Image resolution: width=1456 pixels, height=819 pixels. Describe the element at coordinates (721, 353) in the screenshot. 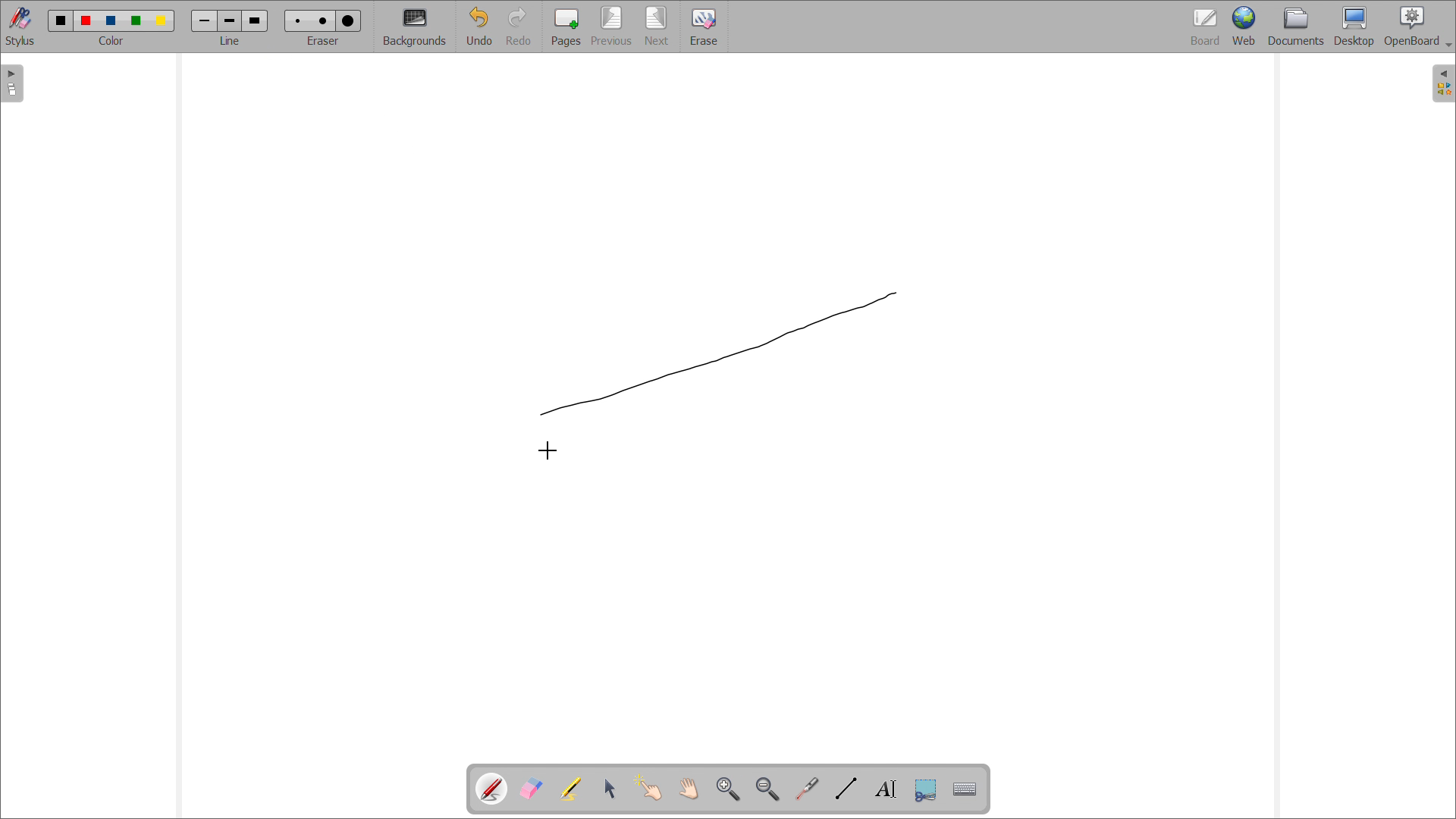

I see `line drawn` at that location.